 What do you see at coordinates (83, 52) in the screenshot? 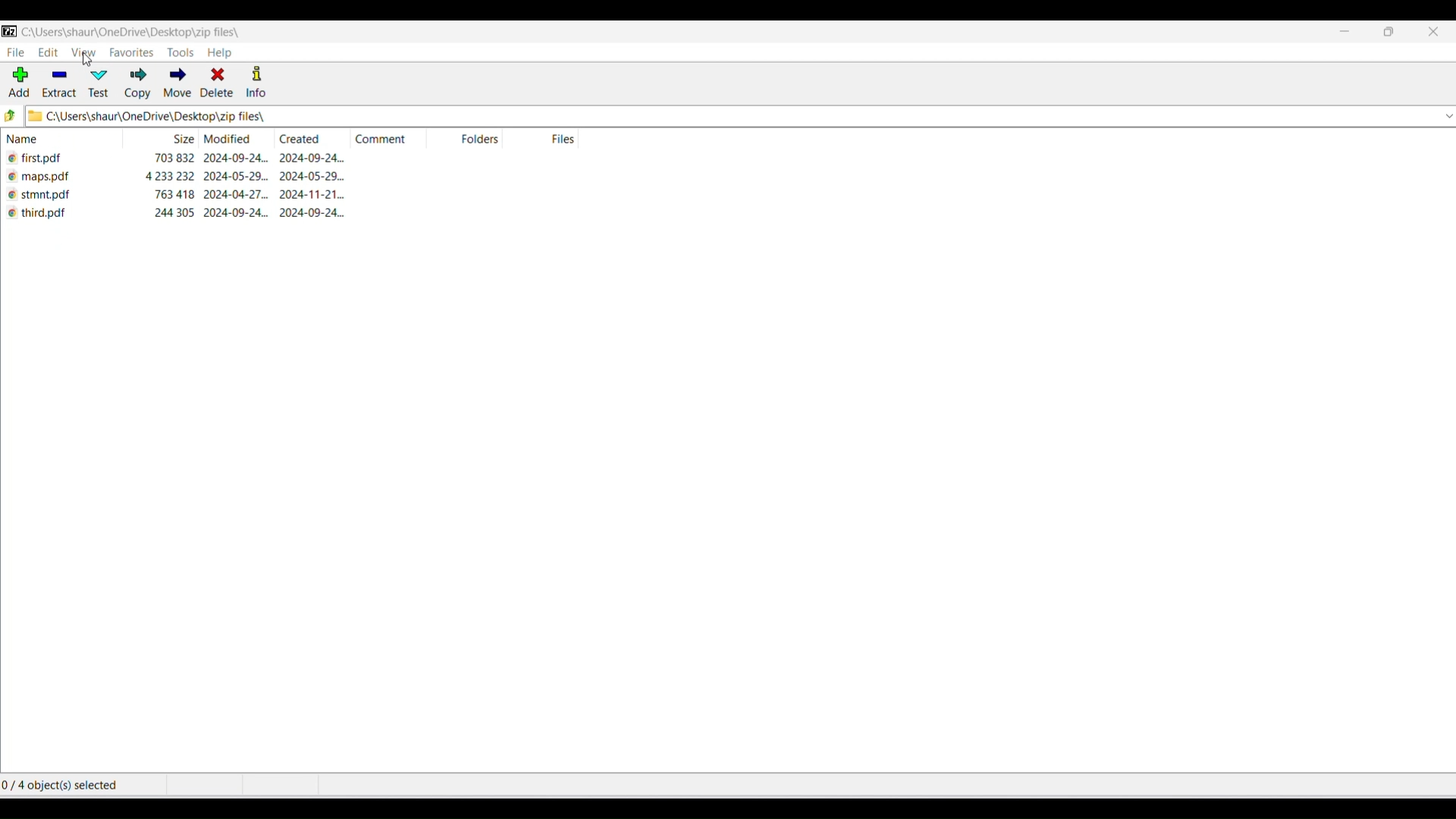
I see `view` at bounding box center [83, 52].